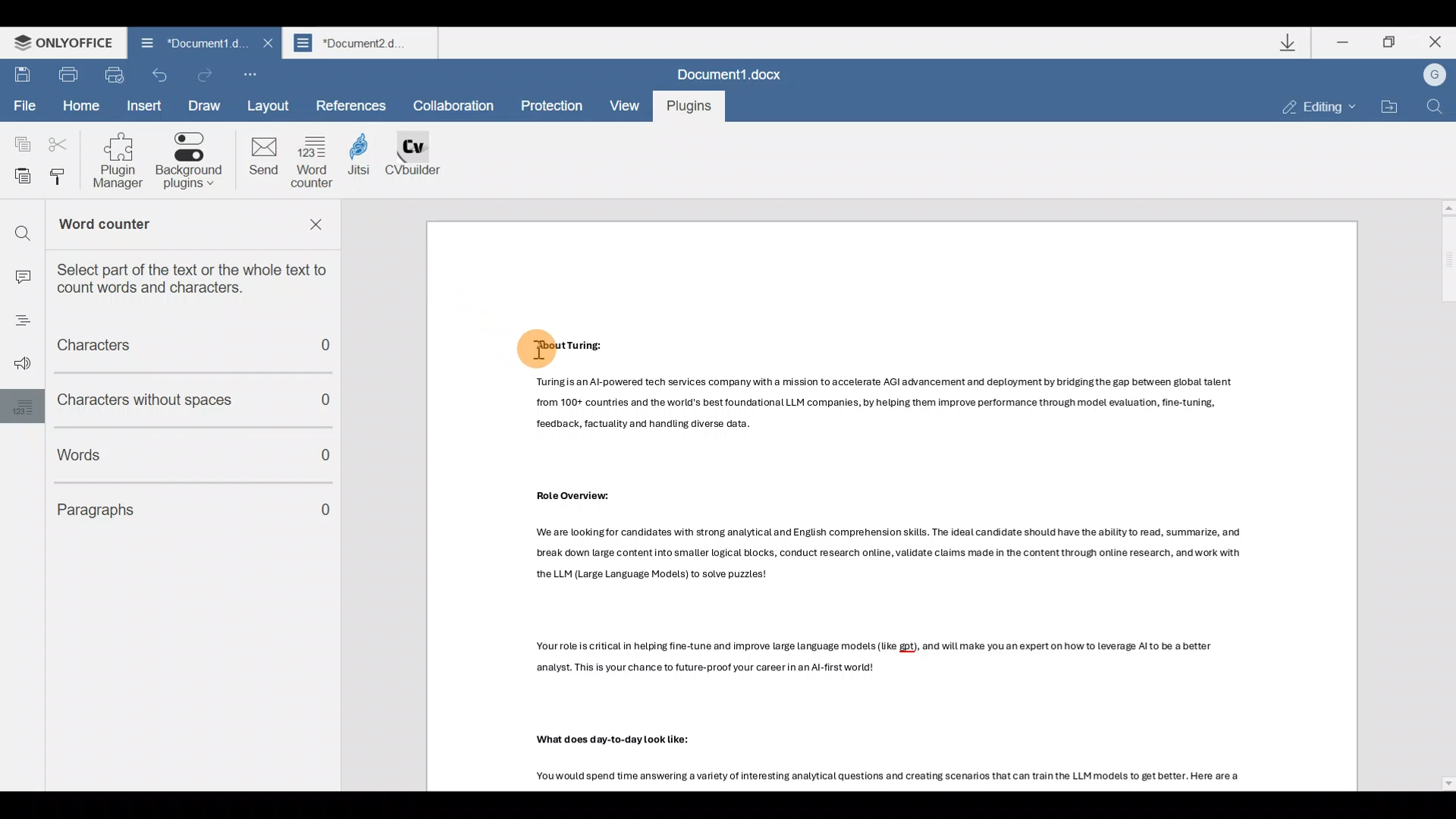 This screenshot has width=1456, height=819. I want to click on 0, so click(328, 512).